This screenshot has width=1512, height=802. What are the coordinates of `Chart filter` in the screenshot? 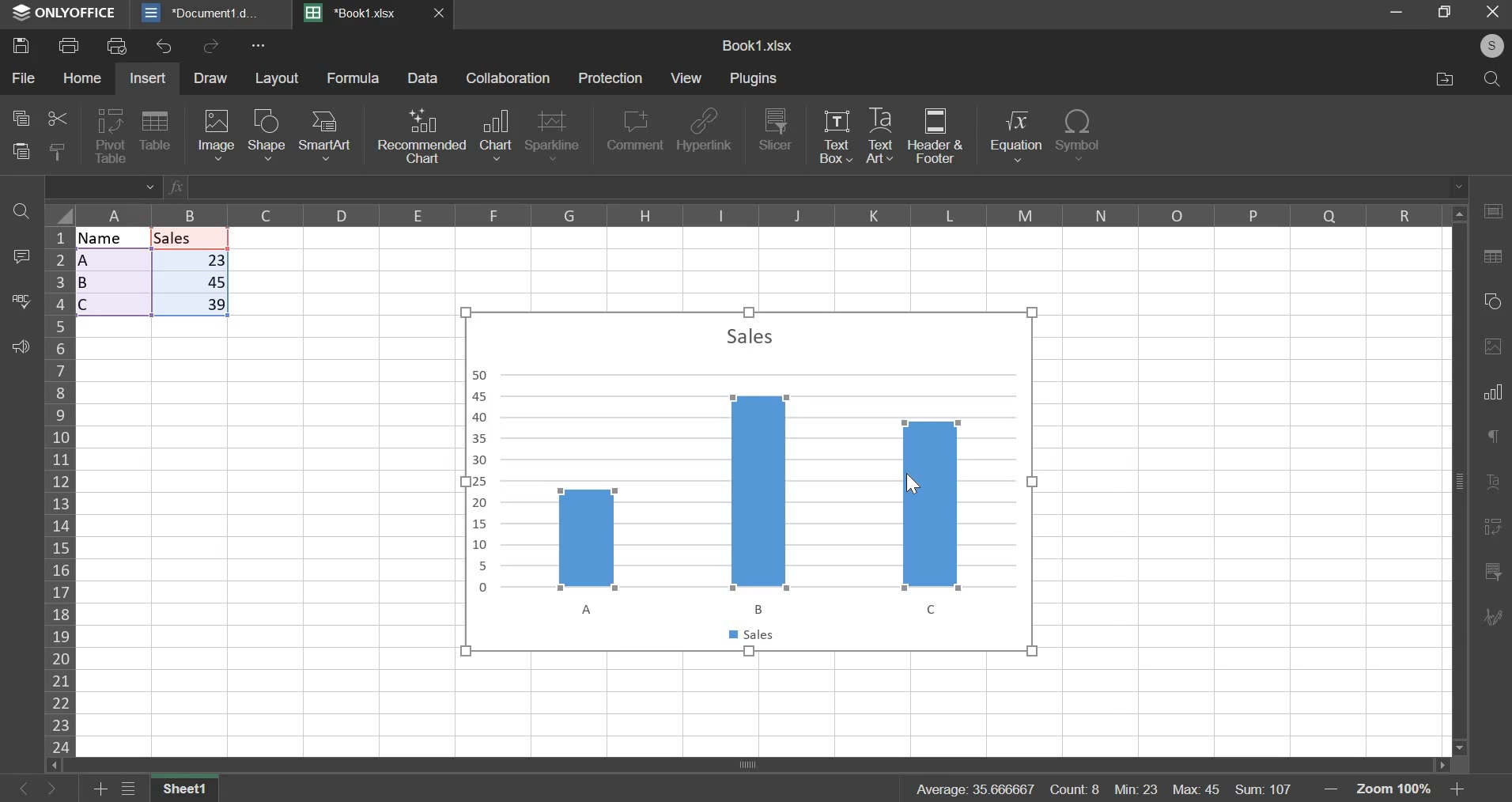 It's located at (1492, 572).